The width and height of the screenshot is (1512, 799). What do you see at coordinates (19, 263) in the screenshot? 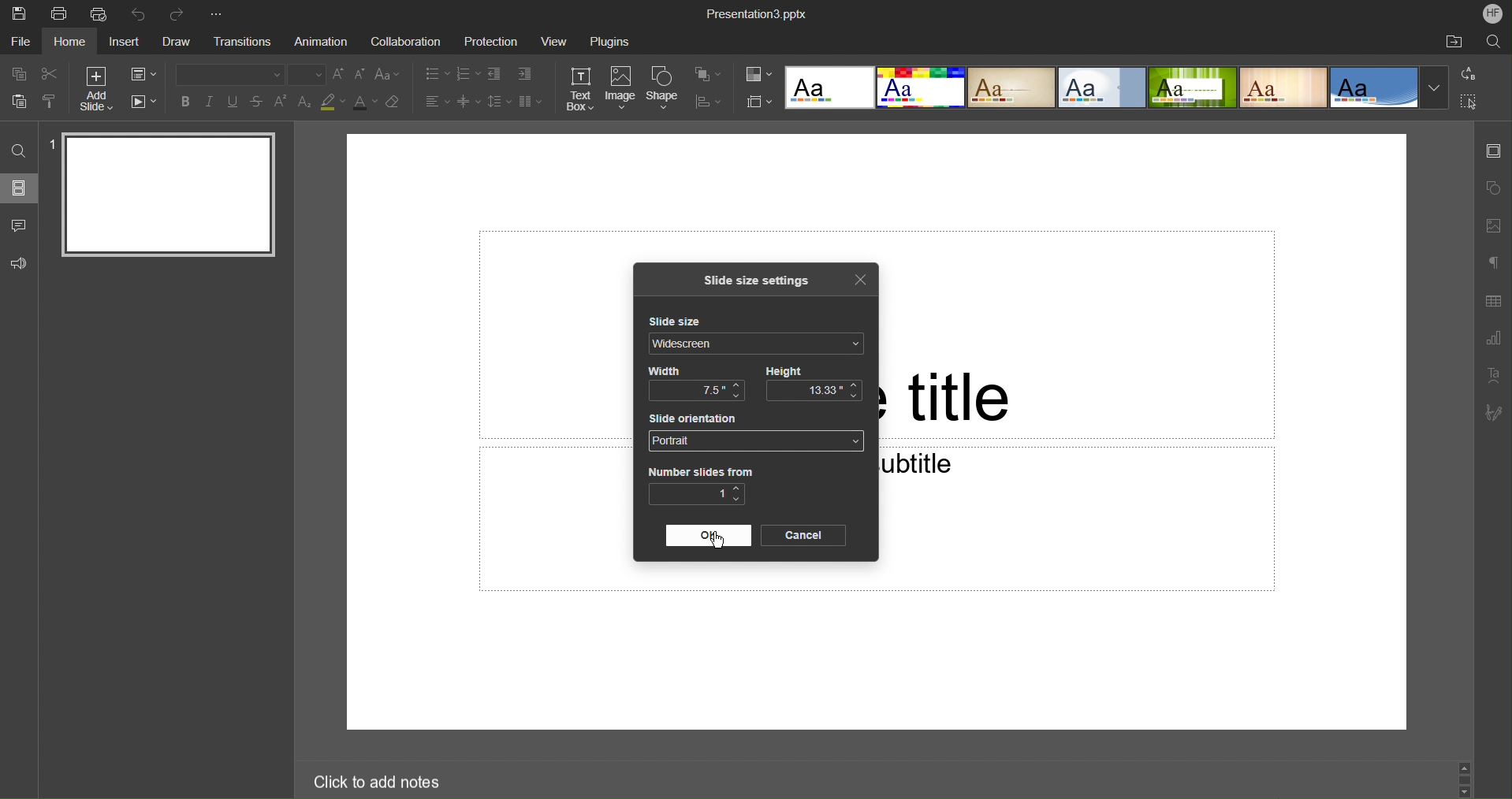
I see `Feedback and Support` at bounding box center [19, 263].